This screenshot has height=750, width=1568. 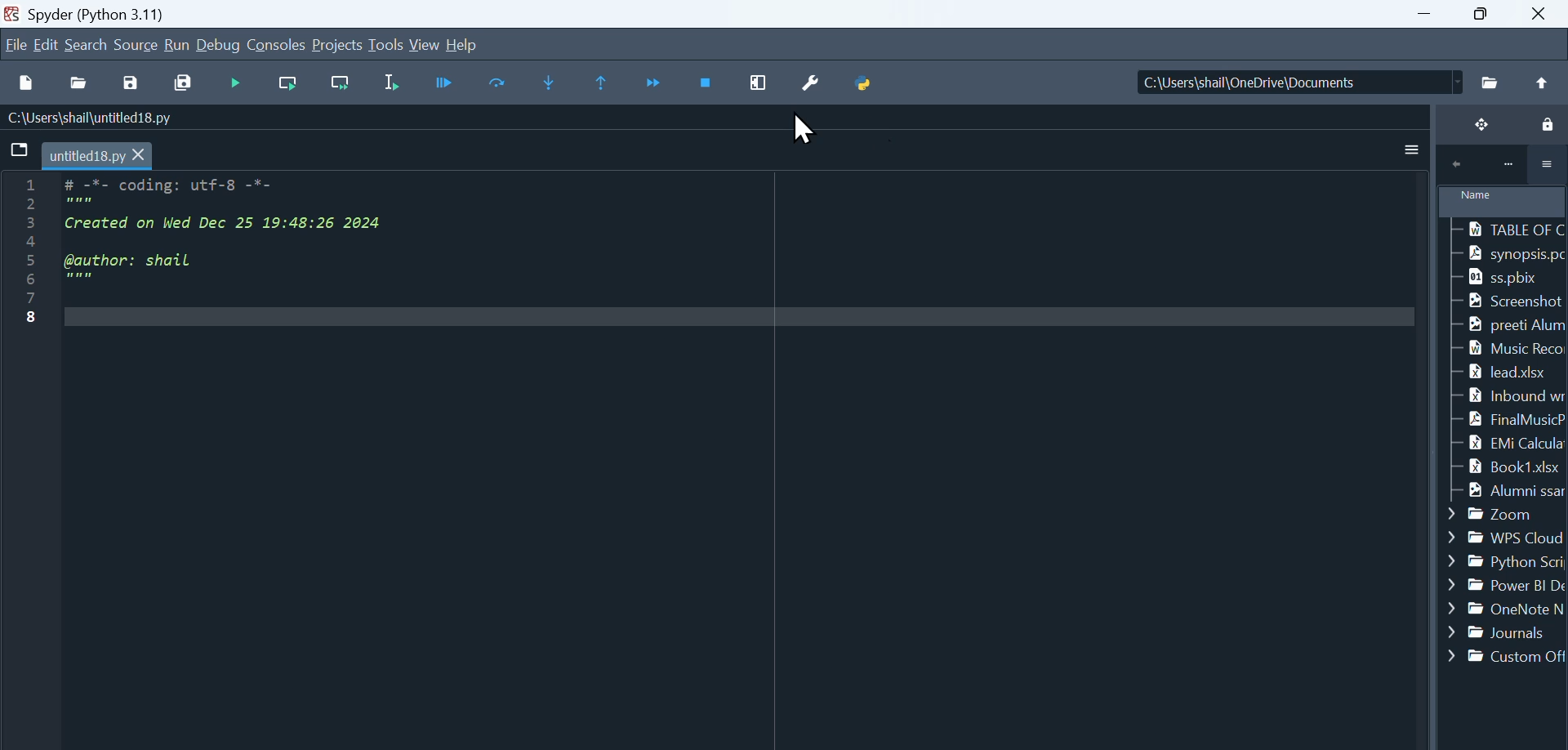 I want to click on Python path manager, so click(x=866, y=78).